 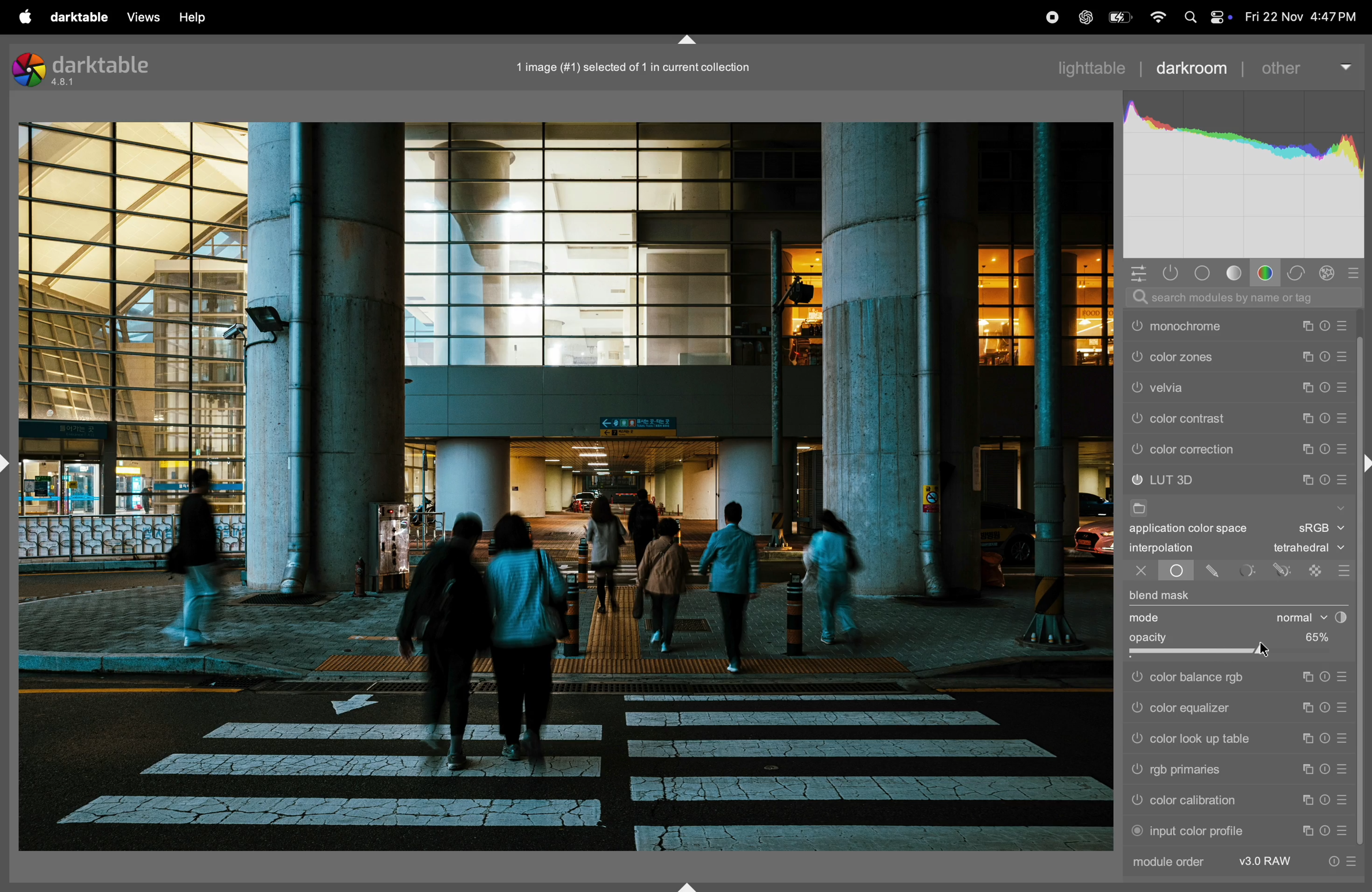 What do you see at coordinates (1203, 831) in the screenshot?
I see `input color profile` at bounding box center [1203, 831].